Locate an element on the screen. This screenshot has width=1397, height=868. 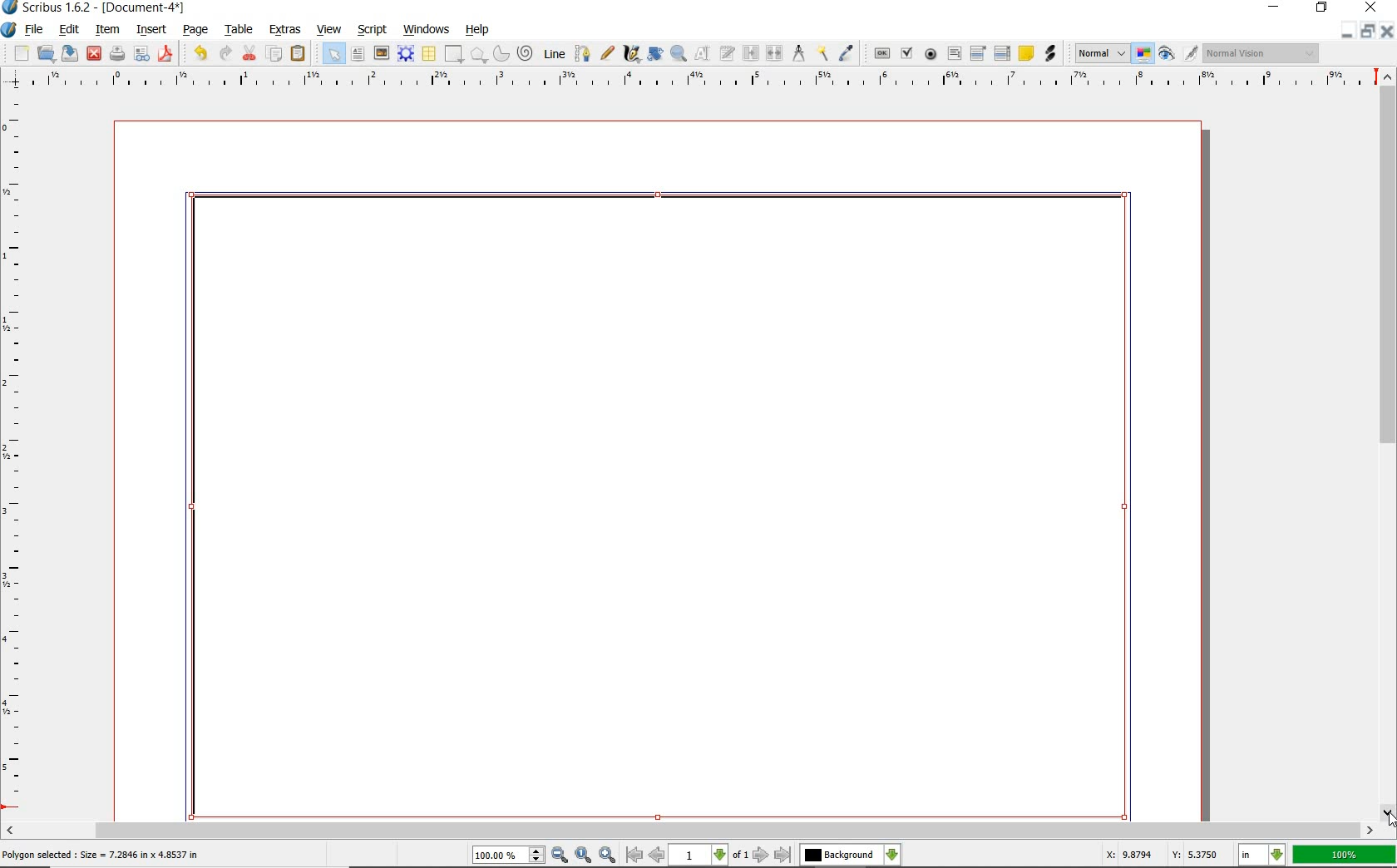
eye dropper is located at coordinates (847, 51).